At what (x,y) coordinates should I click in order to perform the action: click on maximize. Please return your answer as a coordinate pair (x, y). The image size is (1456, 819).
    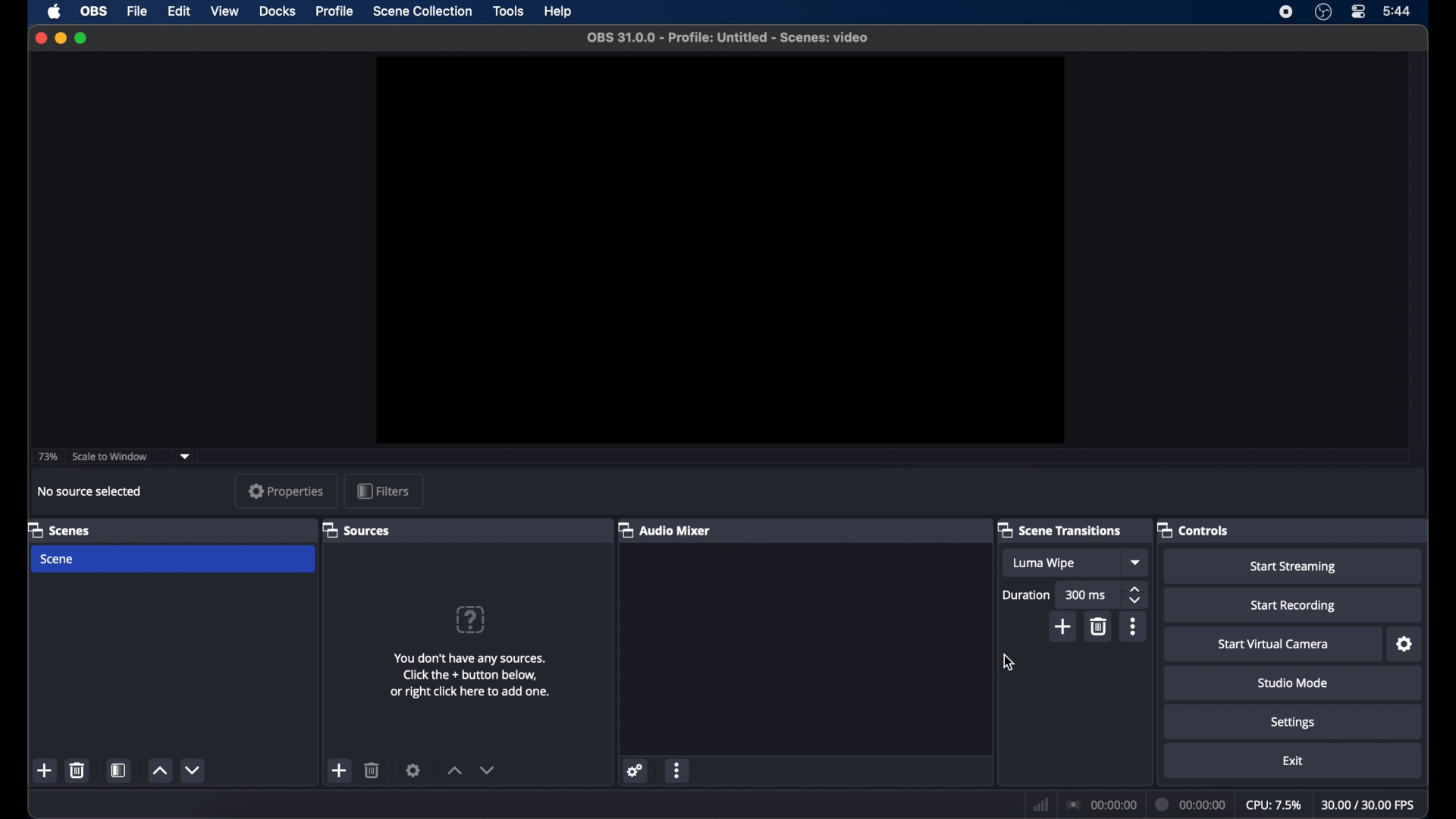
    Looking at the image, I should click on (83, 38).